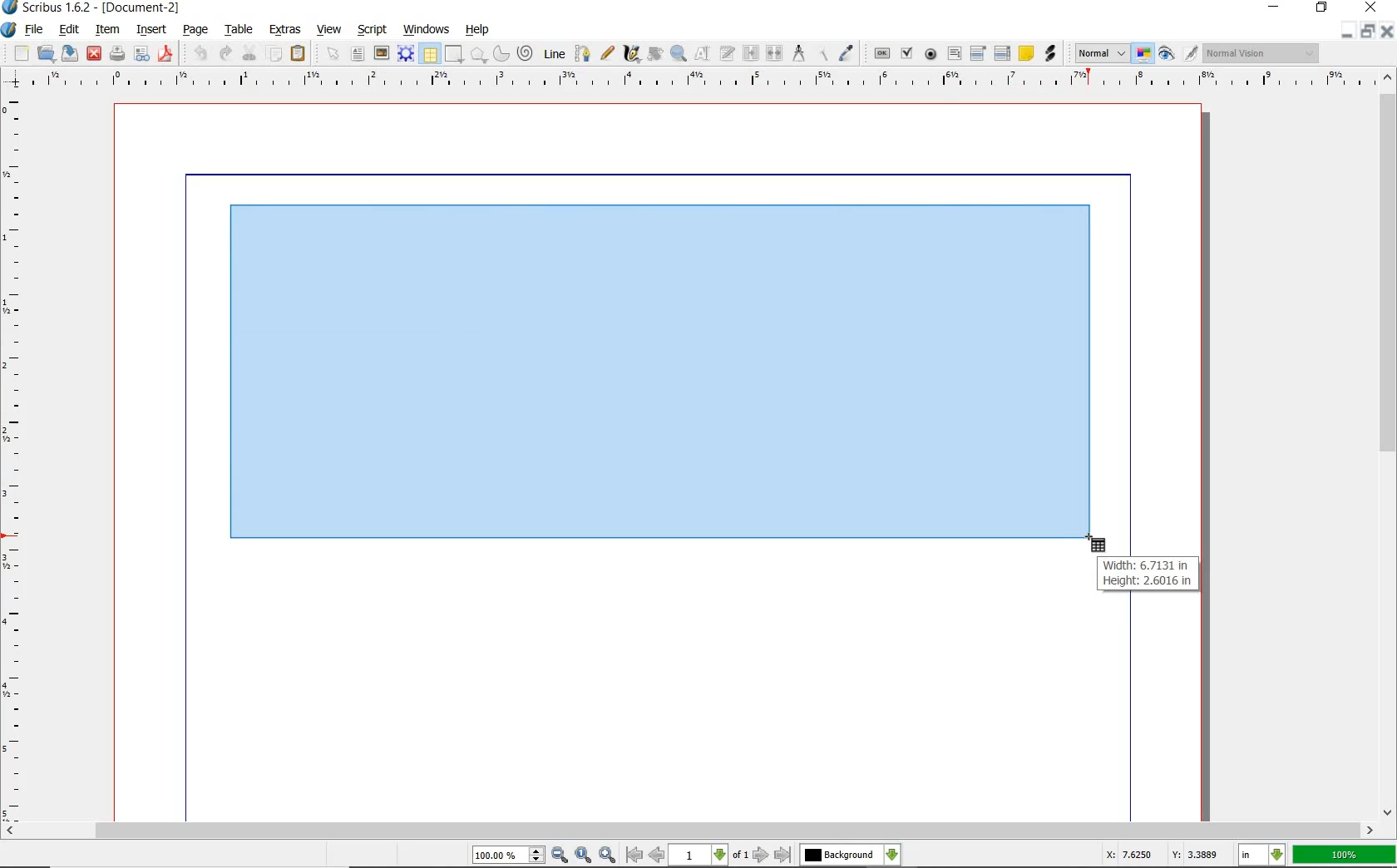 The width and height of the screenshot is (1397, 868). Describe the element at coordinates (1190, 53) in the screenshot. I see `edit in preview mode` at that location.